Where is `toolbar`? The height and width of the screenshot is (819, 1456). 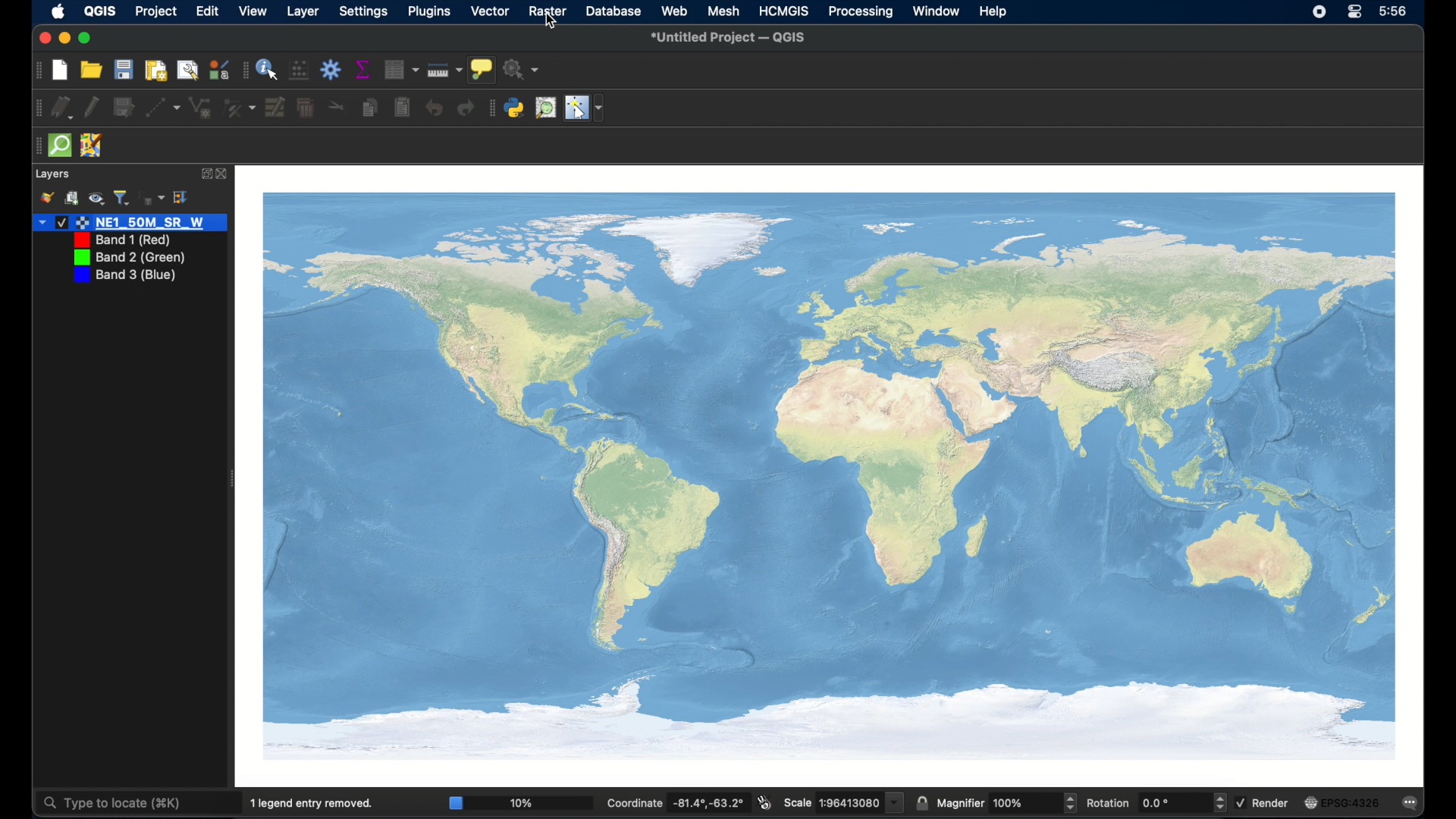 toolbar is located at coordinates (331, 71).